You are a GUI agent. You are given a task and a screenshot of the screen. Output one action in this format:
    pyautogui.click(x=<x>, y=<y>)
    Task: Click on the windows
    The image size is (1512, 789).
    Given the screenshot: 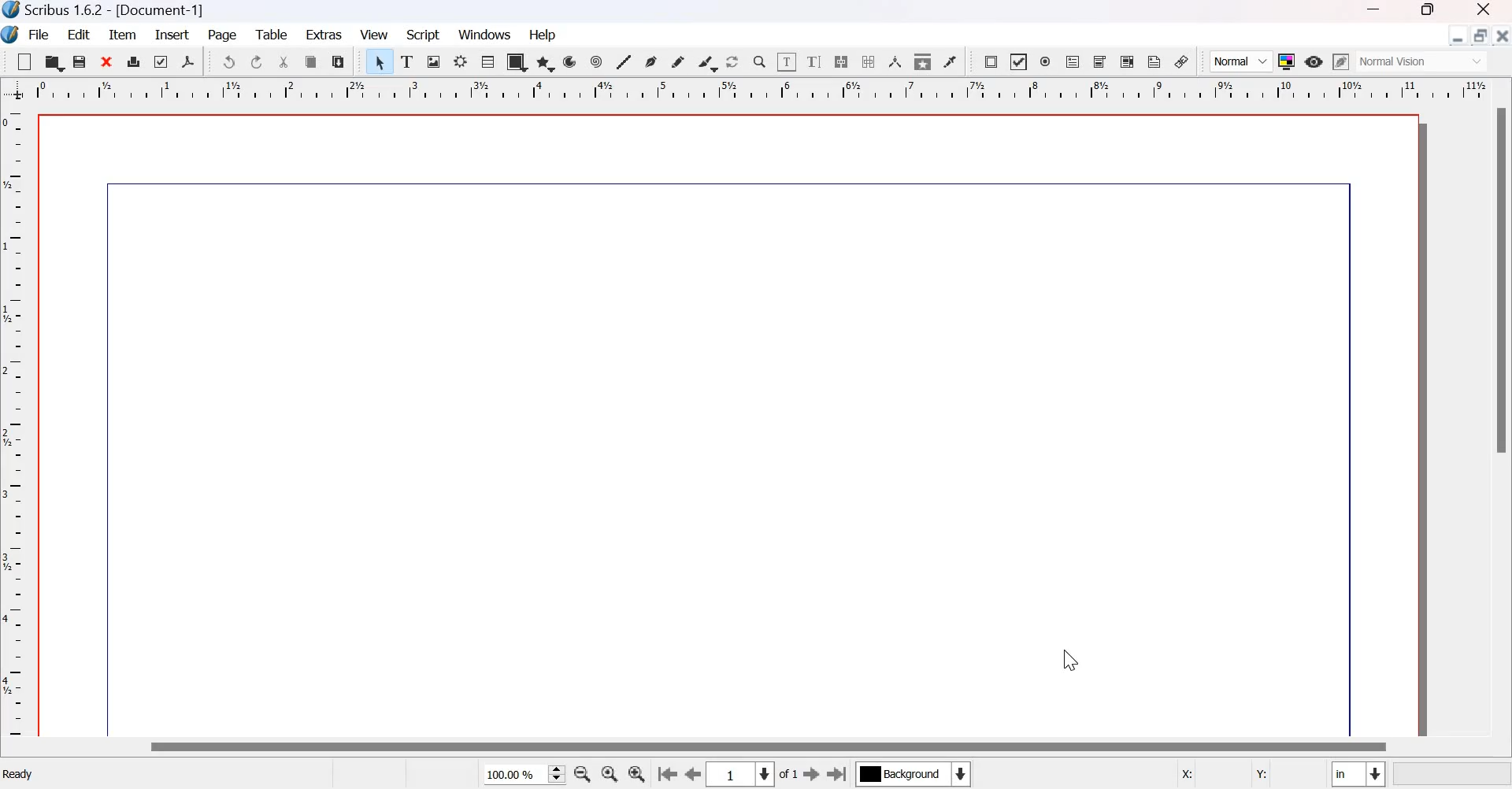 What is the action you would take?
    pyautogui.click(x=486, y=35)
    